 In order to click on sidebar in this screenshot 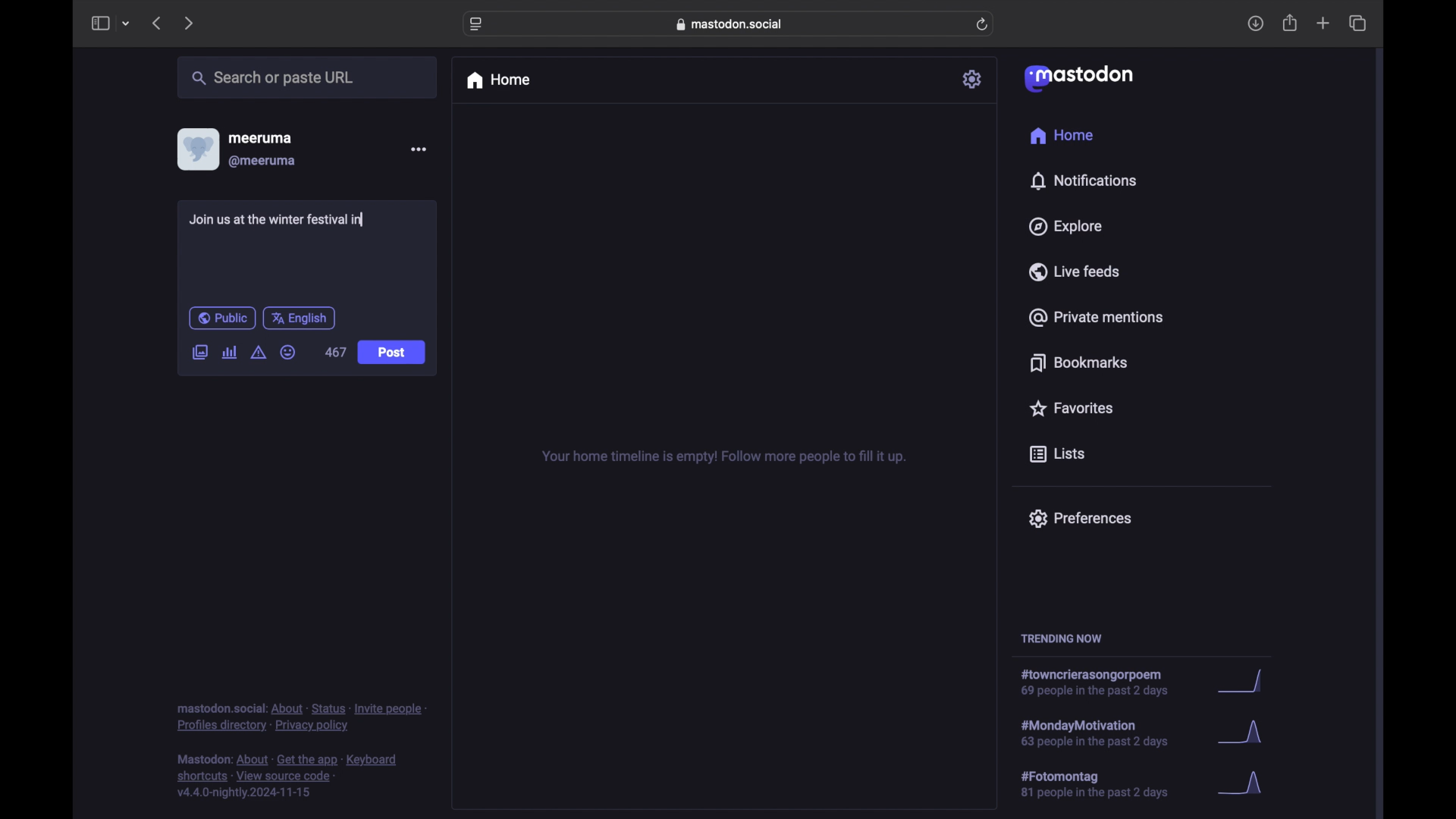, I will do `click(99, 23)`.